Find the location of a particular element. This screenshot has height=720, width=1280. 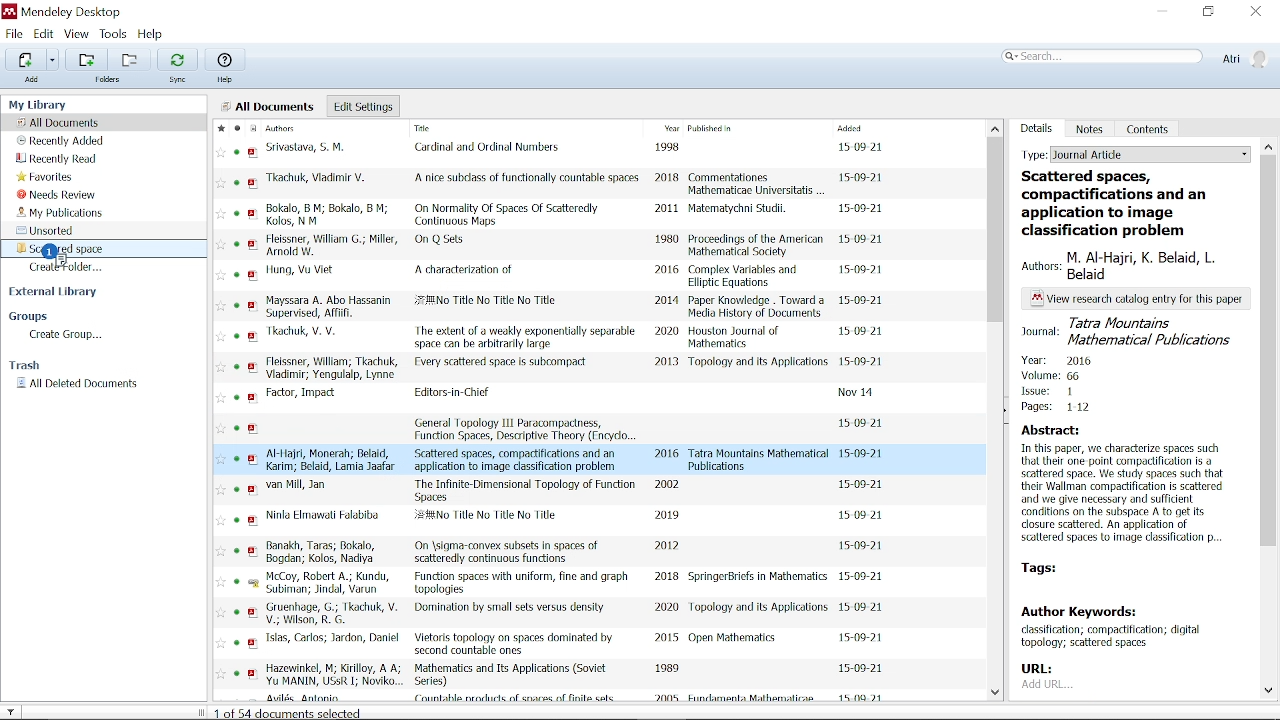

text is located at coordinates (1137, 299).